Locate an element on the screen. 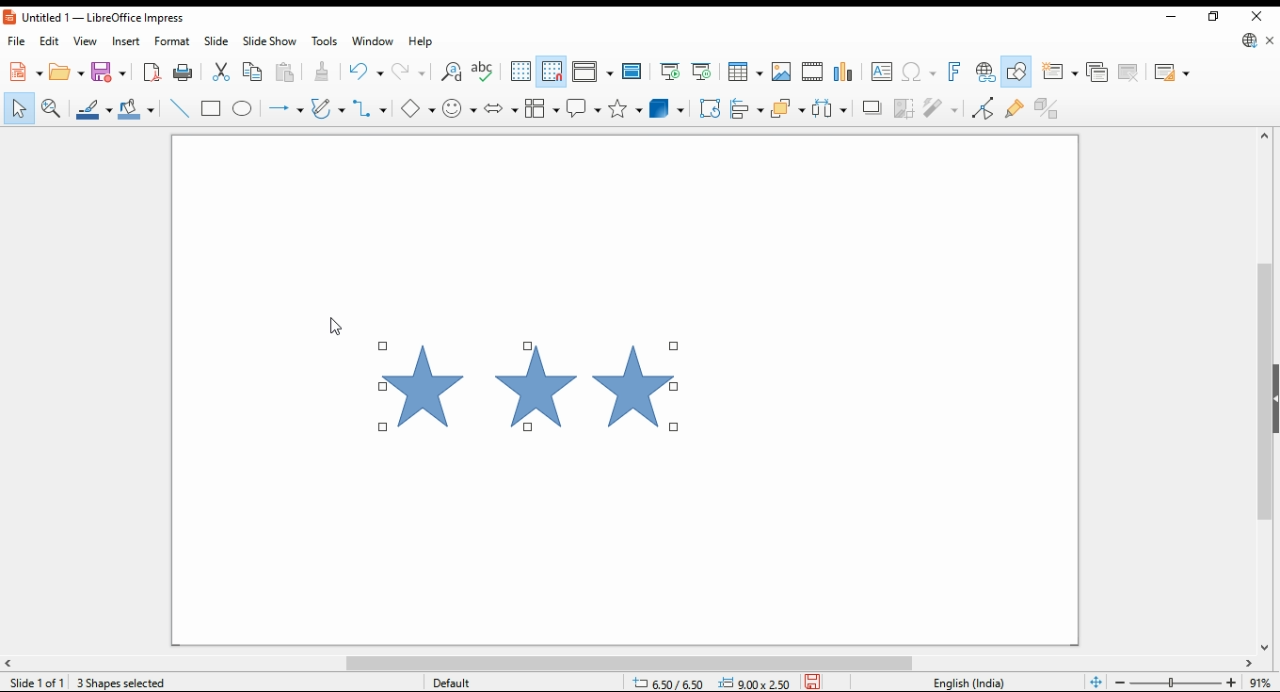 This screenshot has width=1280, height=692. redo is located at coordinates (410, 70).